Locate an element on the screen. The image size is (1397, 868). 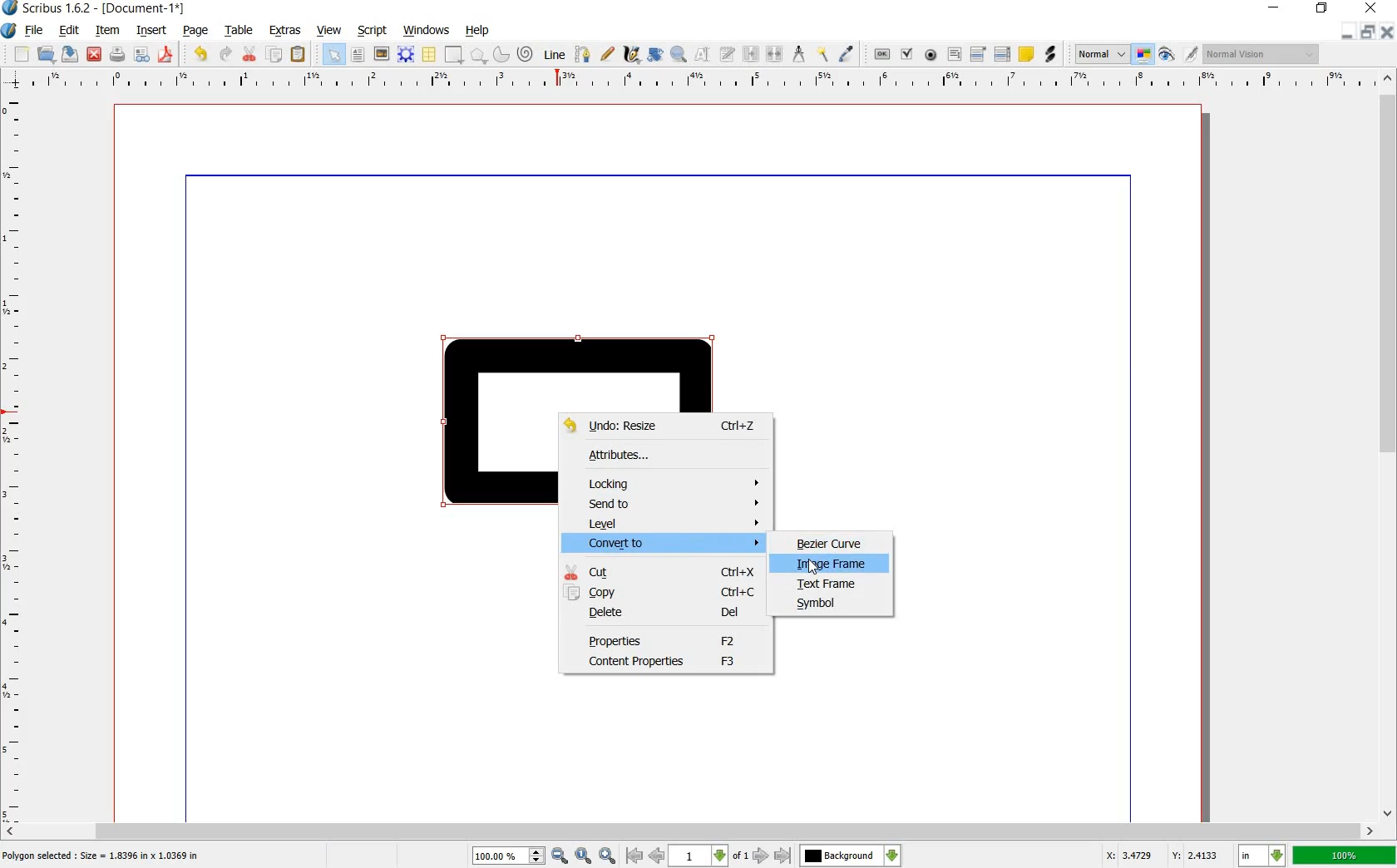
copy item properties is located at coordinates (822, 53).